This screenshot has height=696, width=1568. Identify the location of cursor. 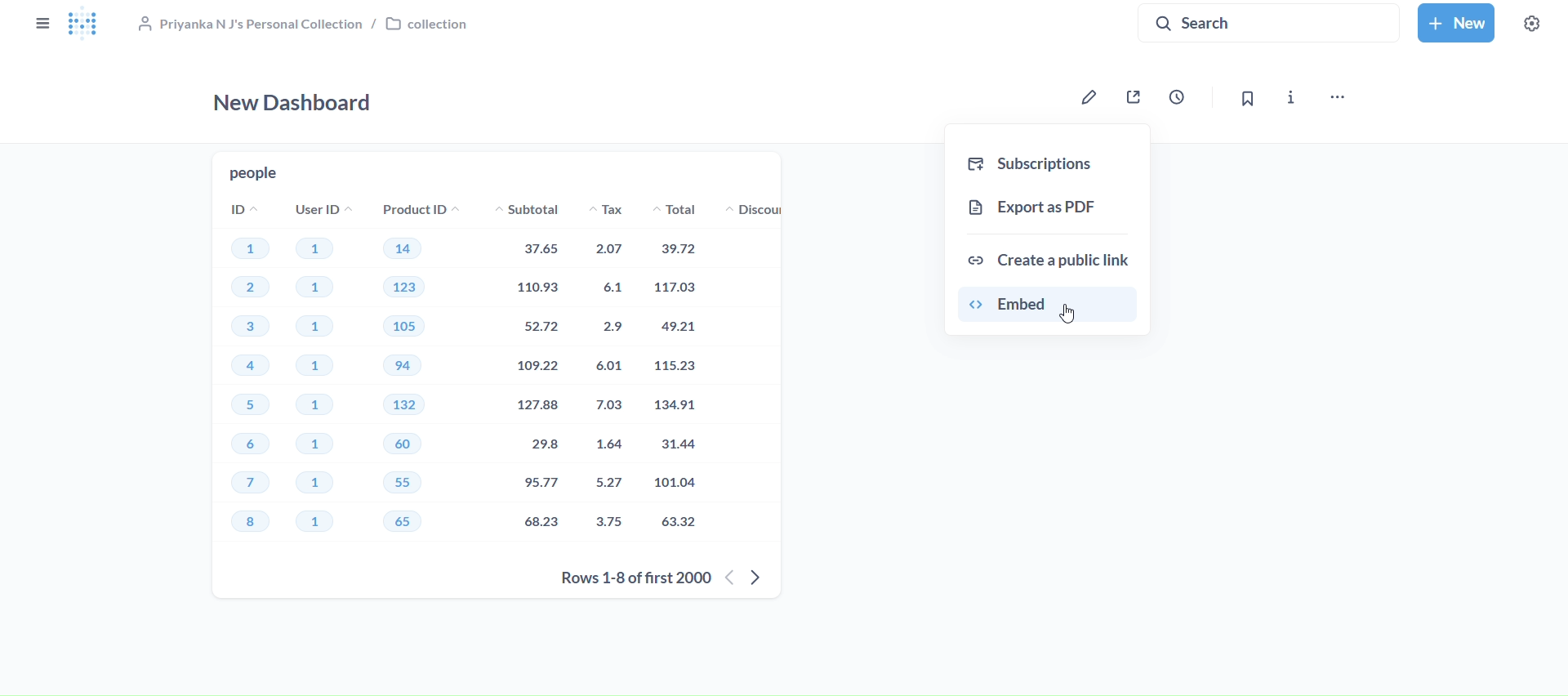
(1071, 315).